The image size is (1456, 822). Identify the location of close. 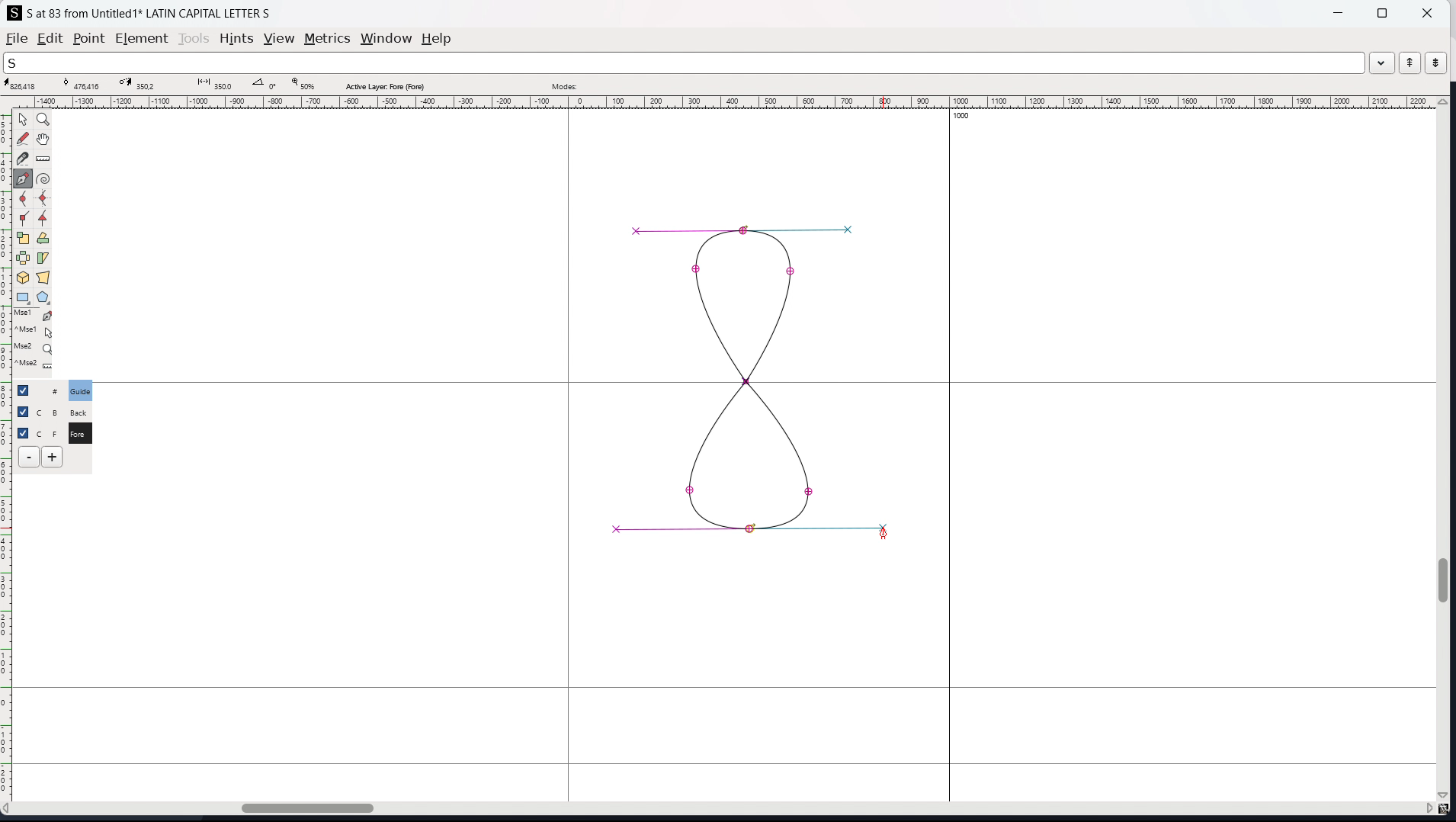
(1426, 12).